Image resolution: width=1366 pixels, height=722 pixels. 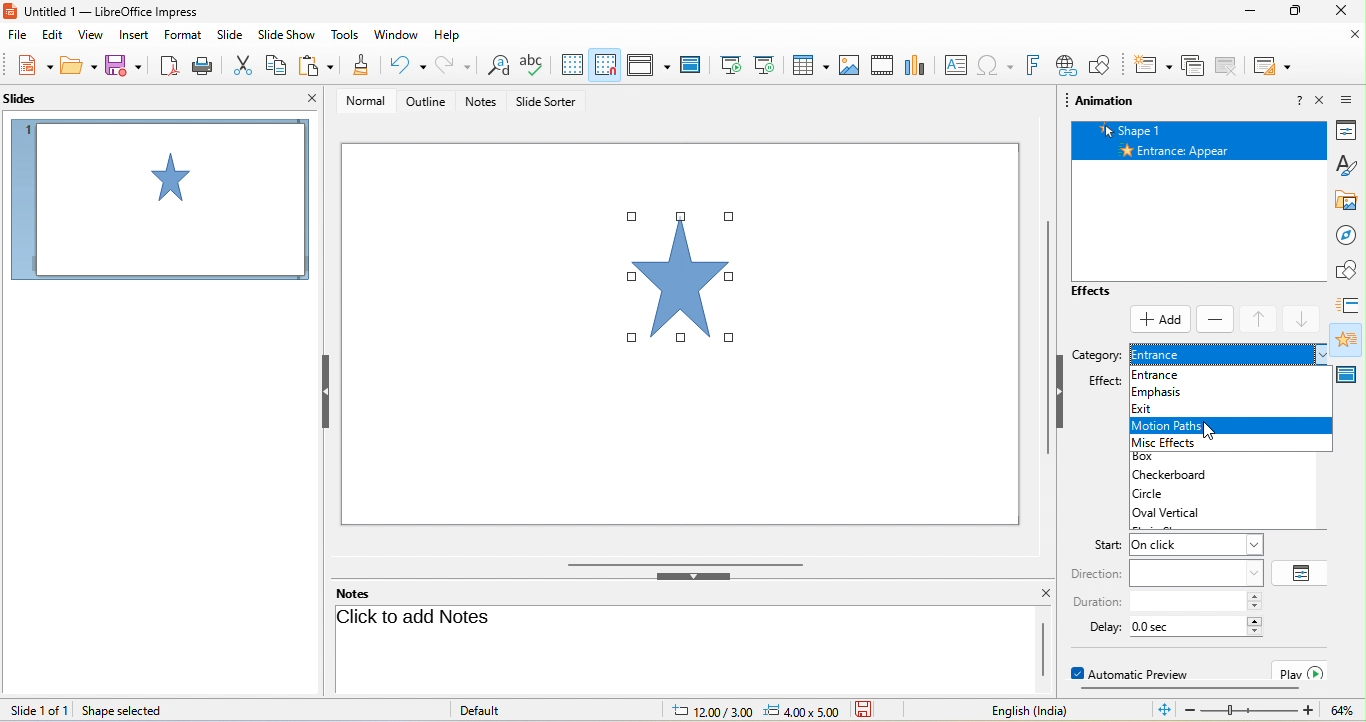 I want to click on slides, so click(x=32, y=98).